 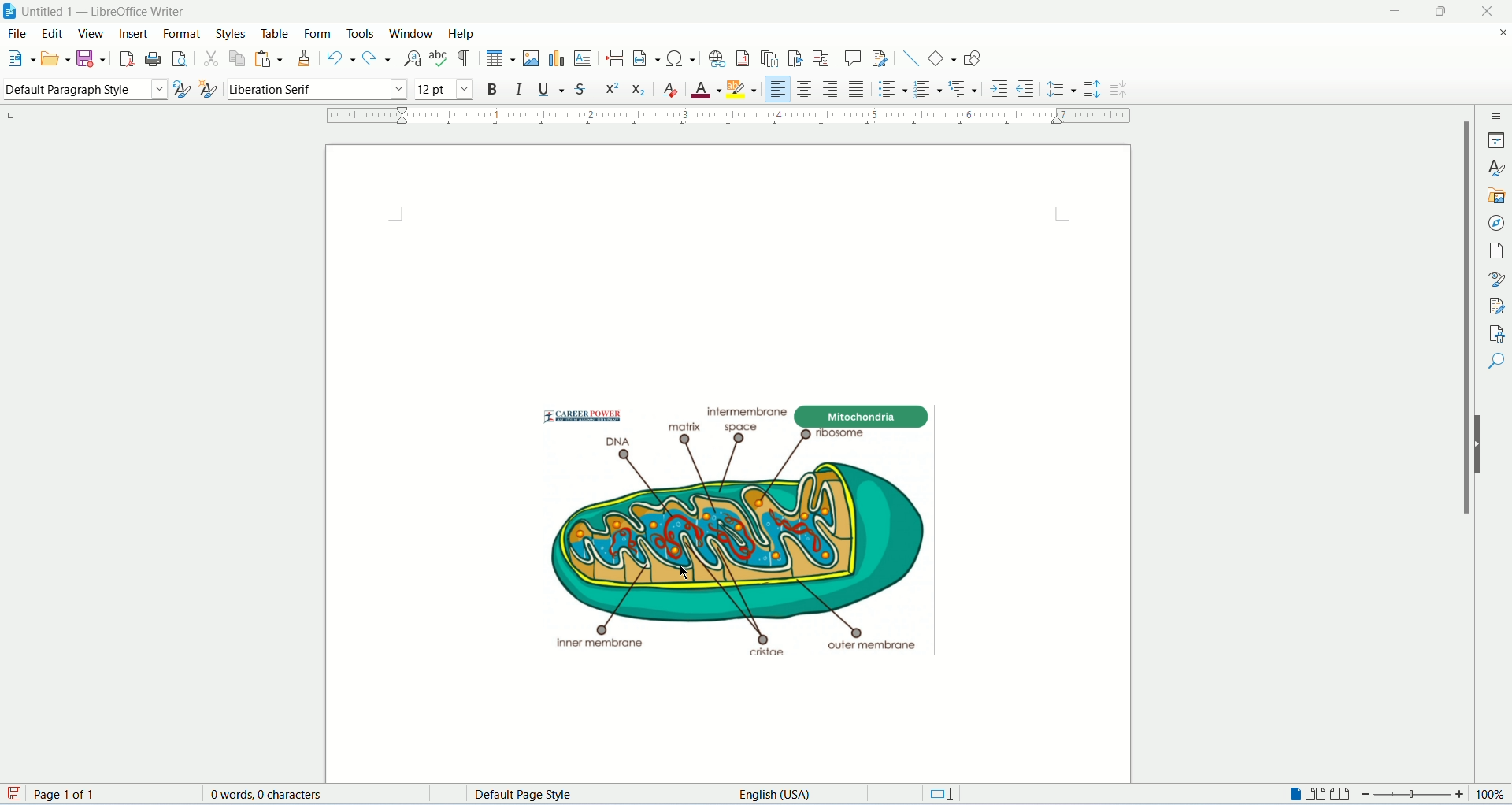 What do you see at coordinates (494, 91) in the screenshot?
I see `bold` at bounding box center [494, 91].